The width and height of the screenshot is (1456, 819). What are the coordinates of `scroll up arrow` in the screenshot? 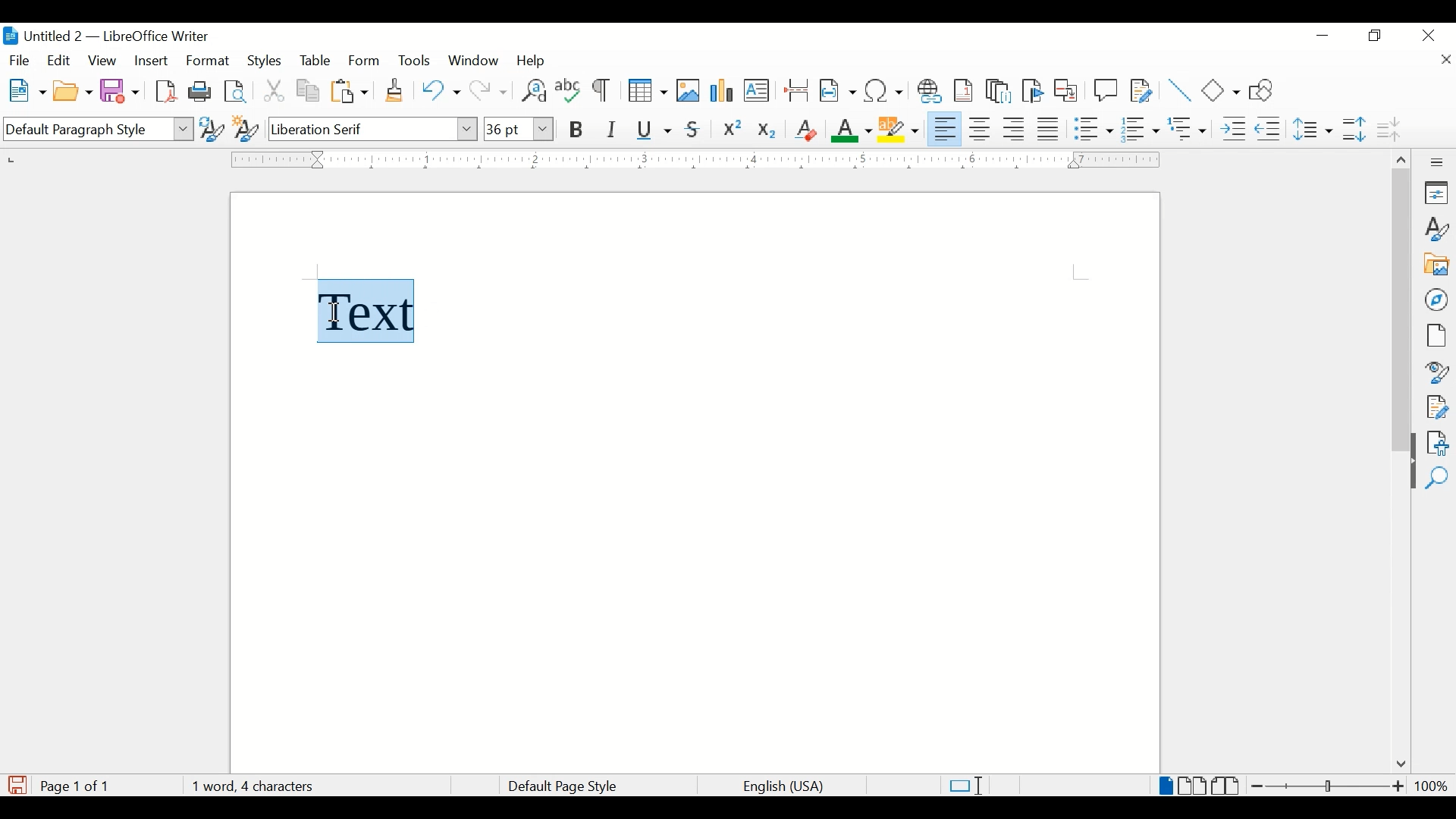 It's located at (1399, 157).